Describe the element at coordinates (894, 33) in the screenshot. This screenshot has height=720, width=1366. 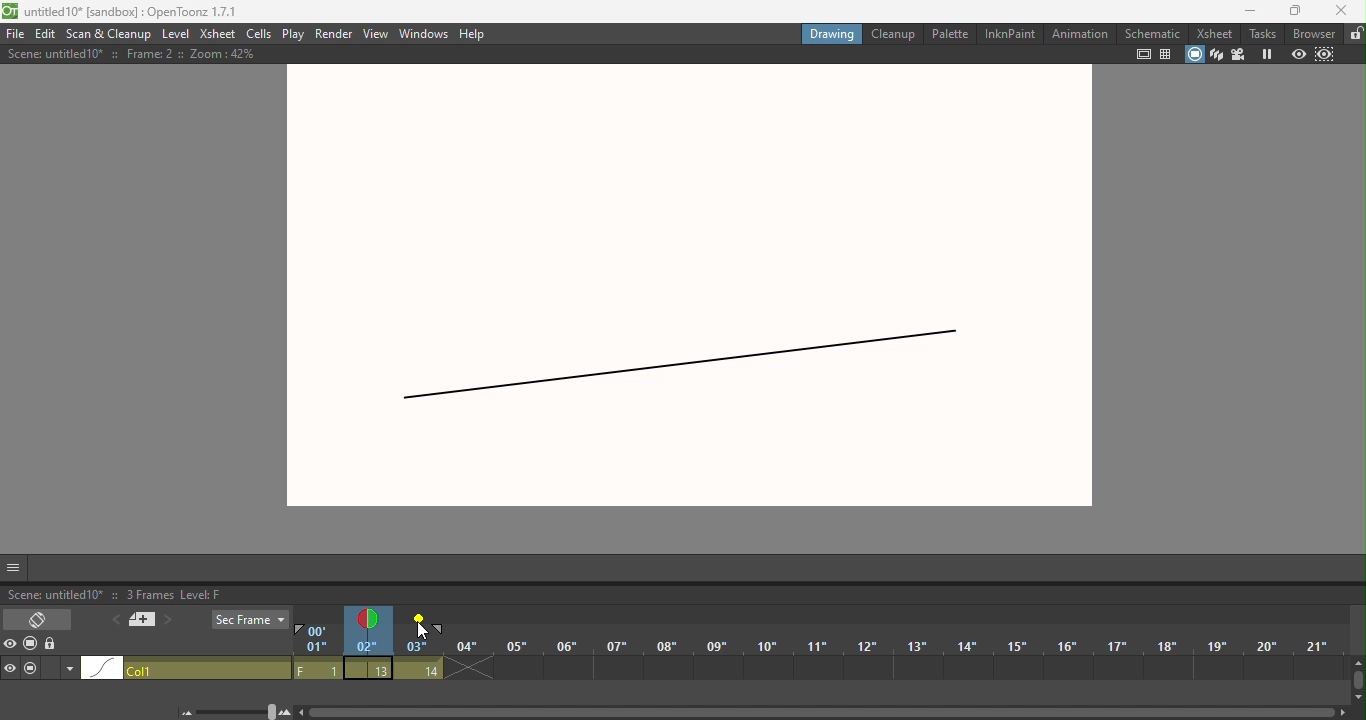
I see `Cleanup` at that location.